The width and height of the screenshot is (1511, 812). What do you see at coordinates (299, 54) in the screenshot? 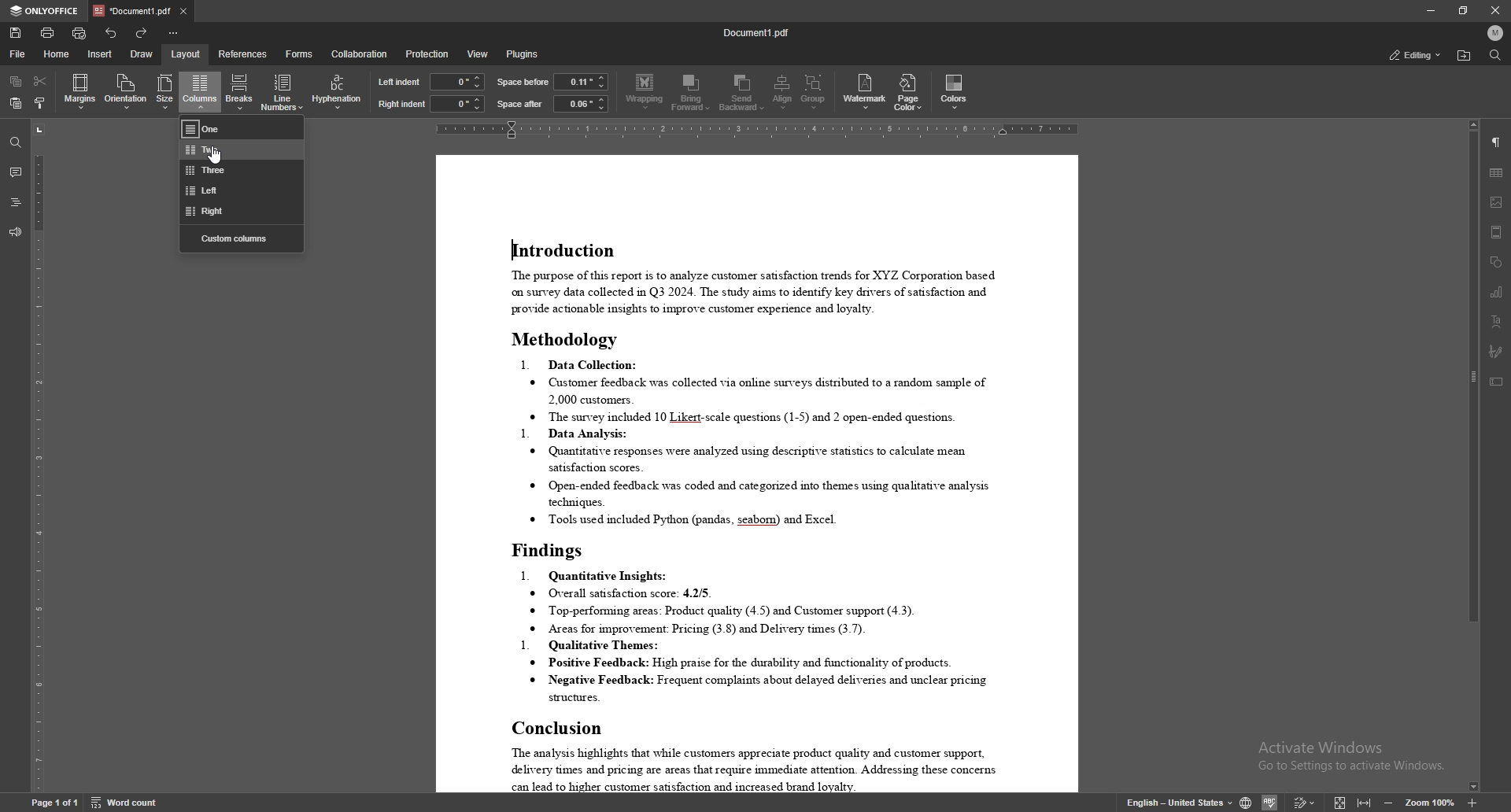
I see `forms` at bounding box center [299, 54].